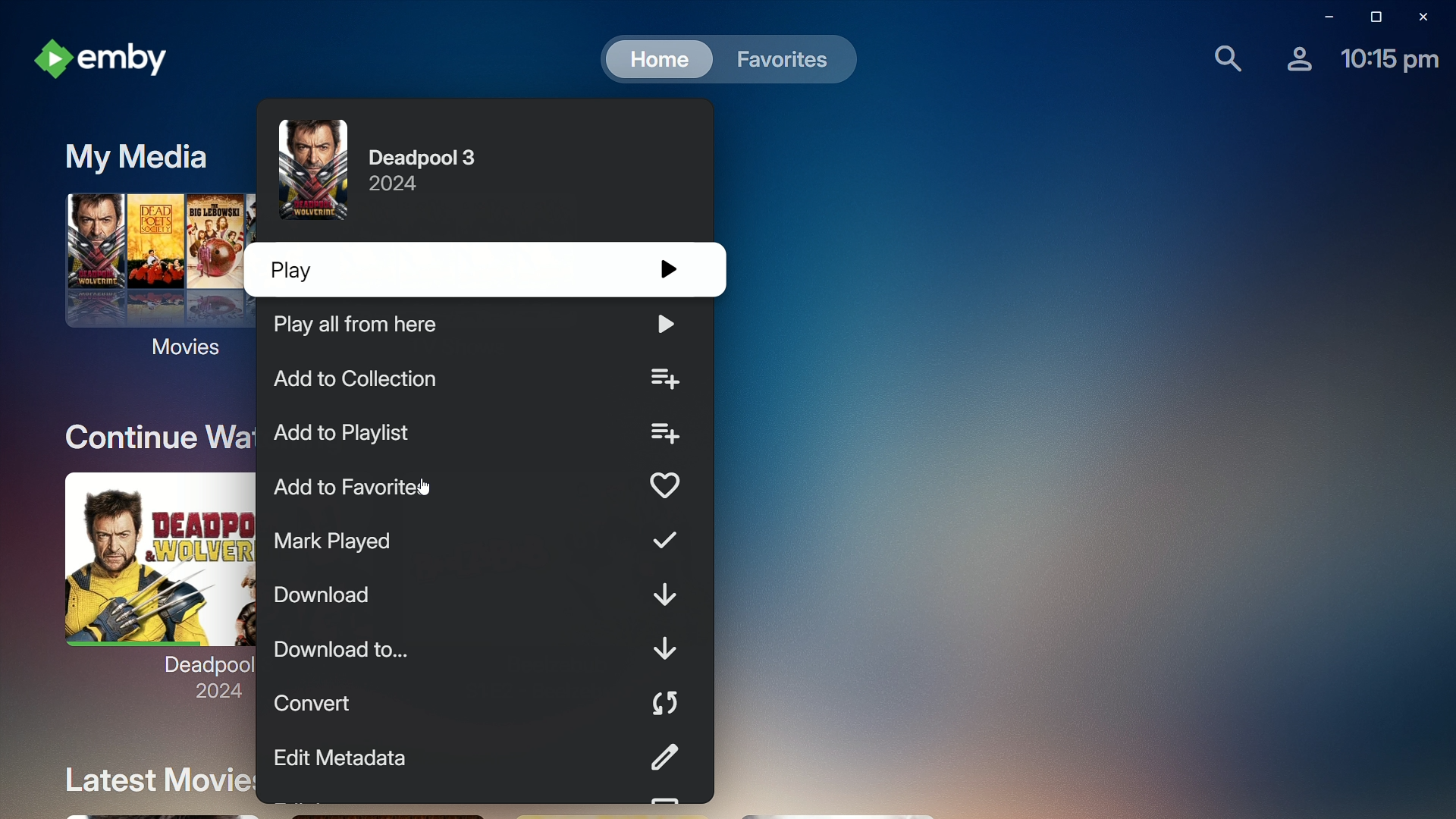 The height and width of the screenshot is (819, 1456). What do you see at coordinates (479, 491) in the screenshot?
I see `Add to Favorite` at bounding box center [479, 491].